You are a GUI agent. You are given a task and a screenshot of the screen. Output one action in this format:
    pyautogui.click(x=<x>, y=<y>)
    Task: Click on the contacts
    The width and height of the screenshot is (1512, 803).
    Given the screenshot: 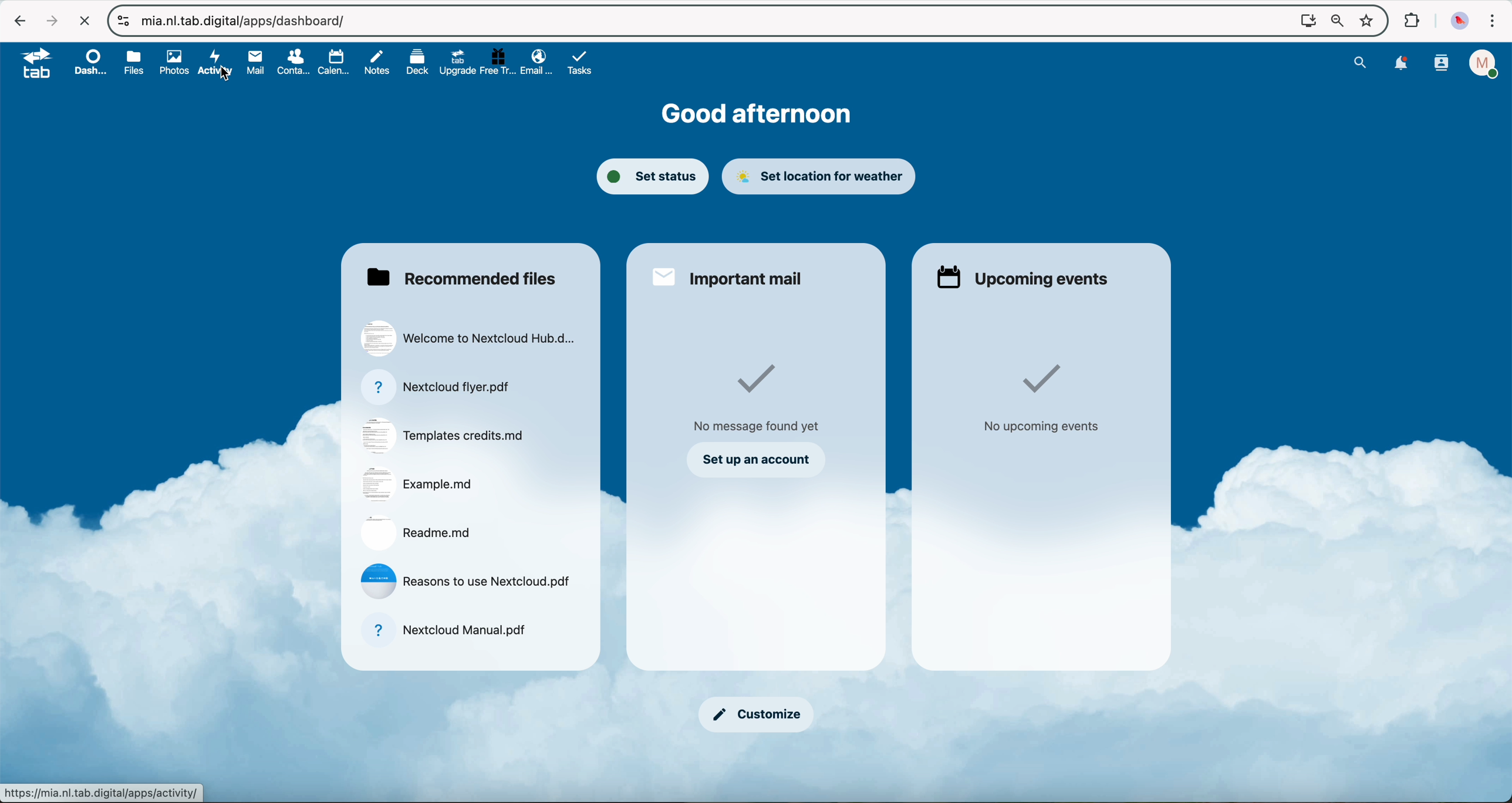 What is the action you would take?
    pyautogui.click(x=1443, y=63)
    